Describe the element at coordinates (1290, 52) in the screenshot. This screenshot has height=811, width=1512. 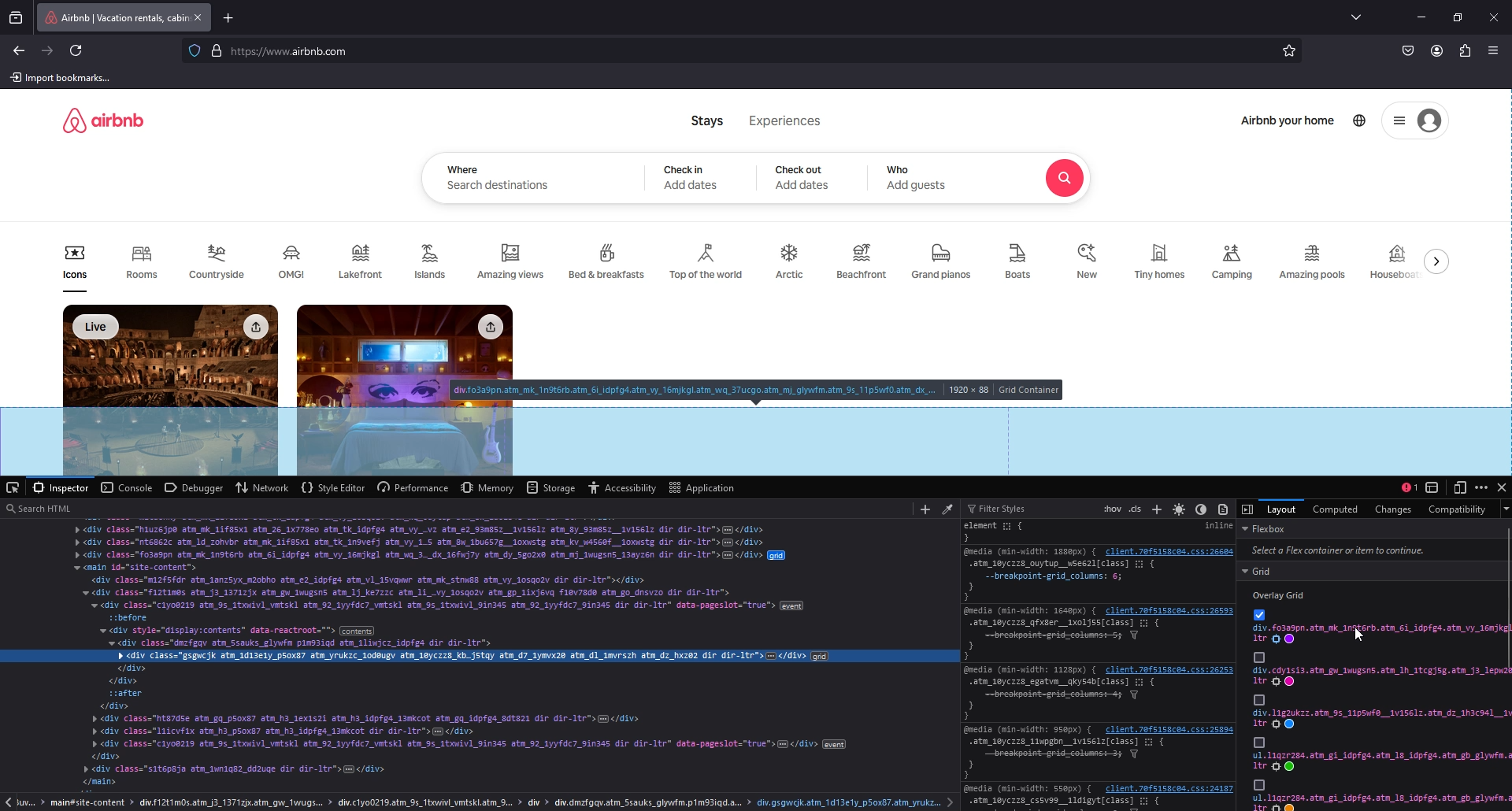
I see `favourites` at that location.